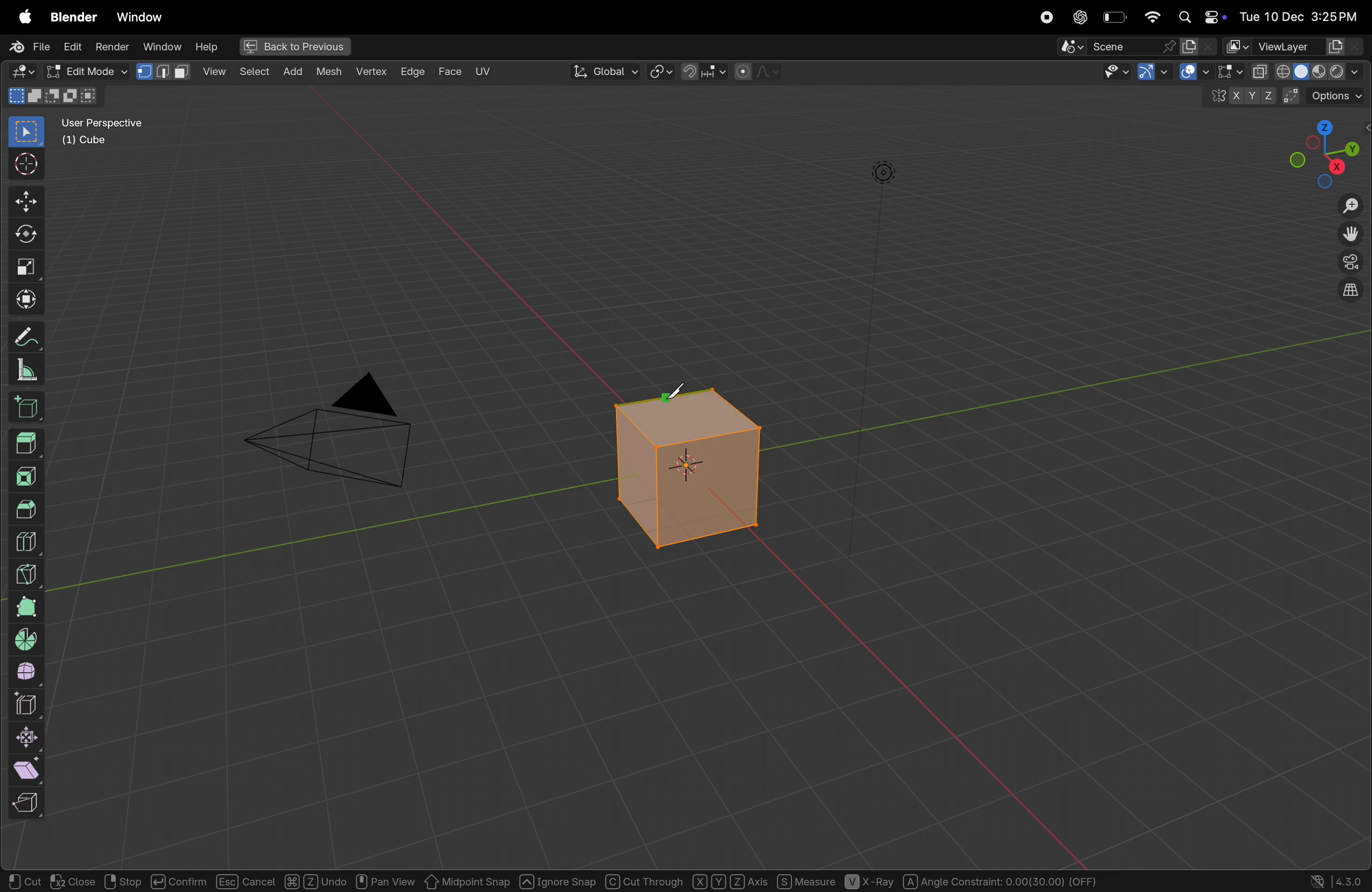  What do you see at coordinates (1137, 47) in the screenshot?
I see `Scene` at bounding box center [1137, 47].